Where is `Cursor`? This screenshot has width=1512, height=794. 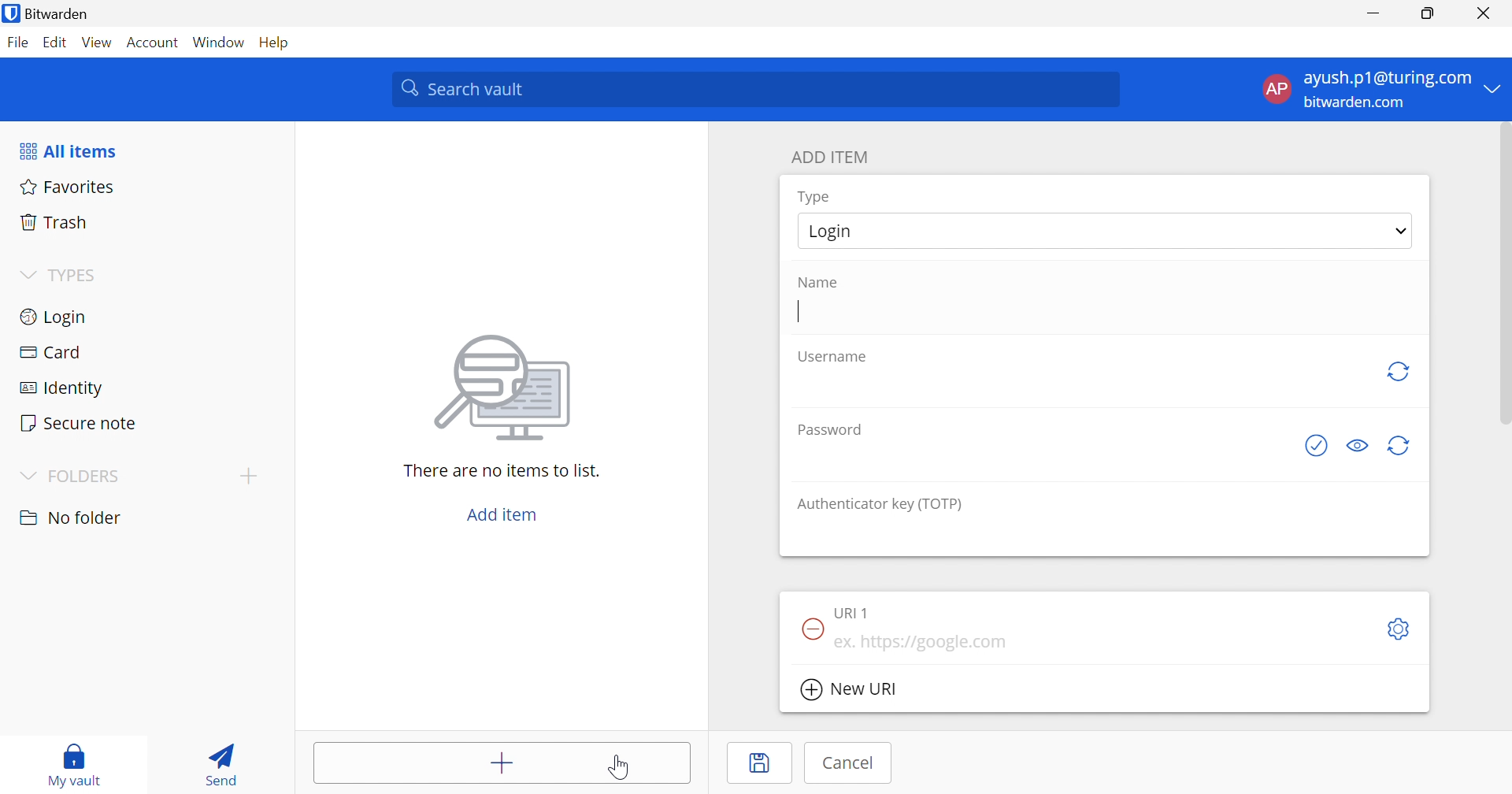 Cursor is located at coordinates (621, 768).